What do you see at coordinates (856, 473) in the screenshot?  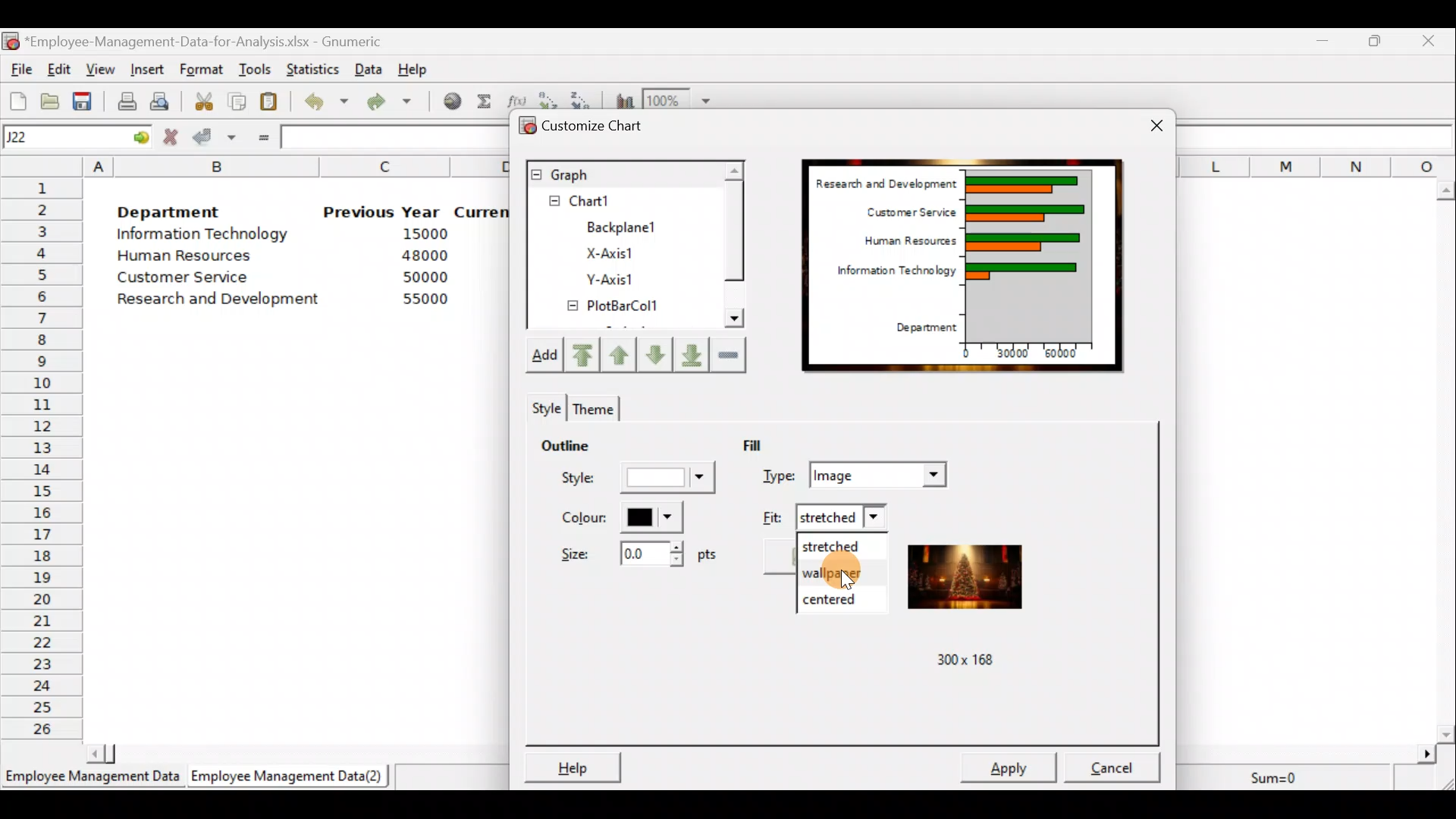 I see `Type` at bounding box center [856, 473].